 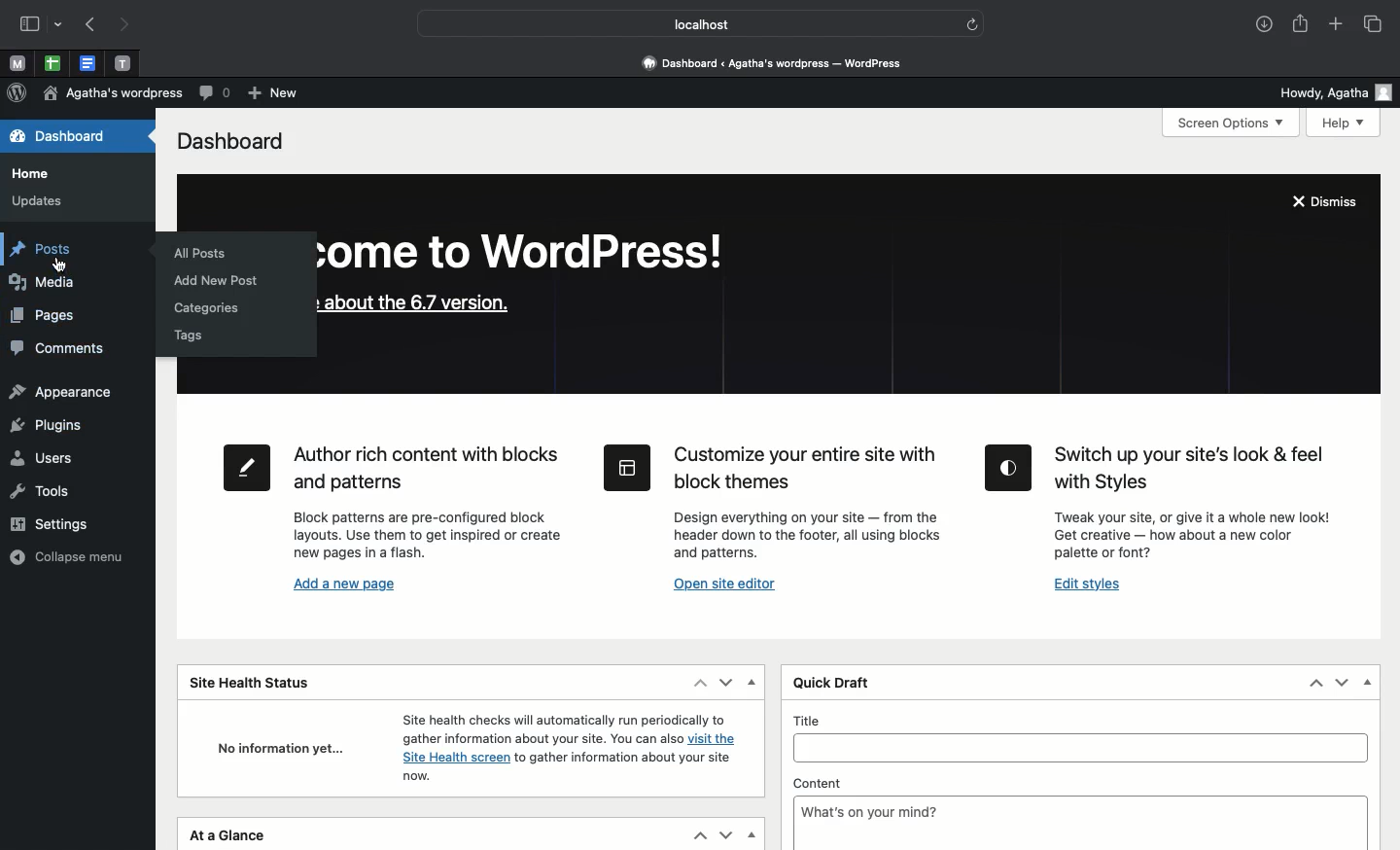 What do you see at coordinates (1329, 203) in the screenshot?
I see `Dismiss` at bounding box center [1329, 203].